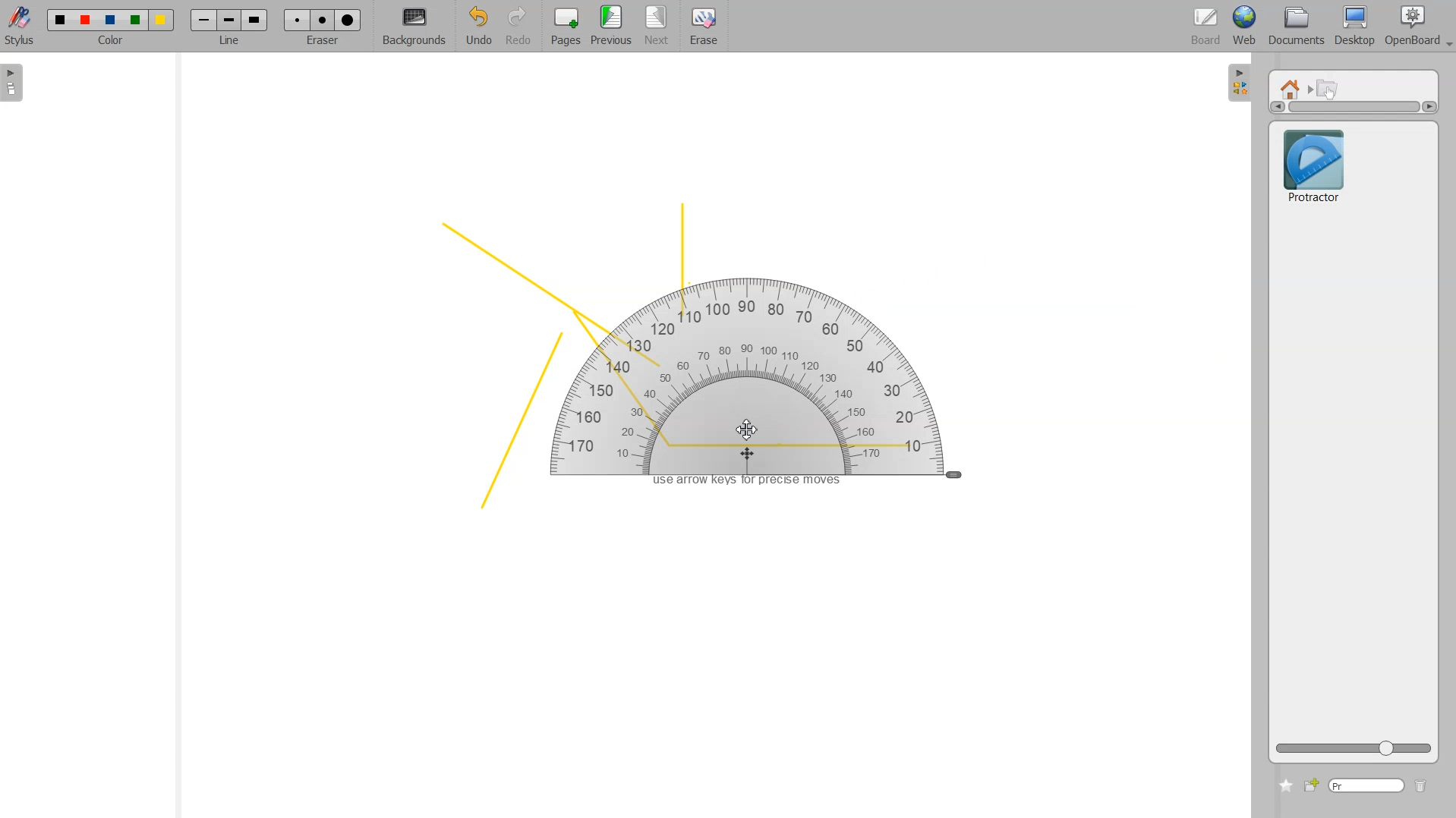 The width and height of the screenshot is (1456, 818). What do you see at coordinates (703, 27) in the screenshot?
I see `Erase` at bounding box center [703, 27].